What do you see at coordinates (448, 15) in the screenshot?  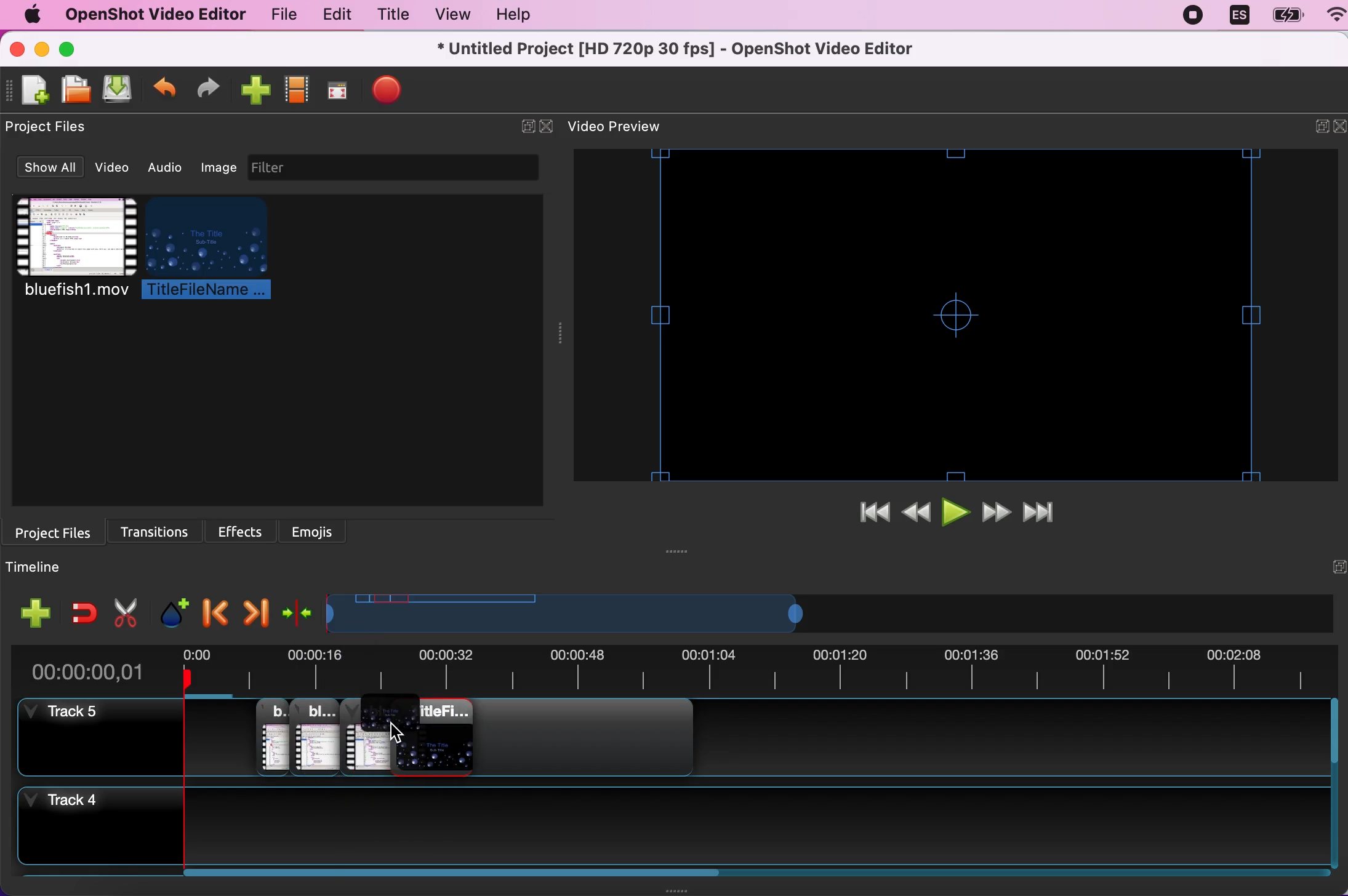 I see `view` at bounding box center [448, 15].